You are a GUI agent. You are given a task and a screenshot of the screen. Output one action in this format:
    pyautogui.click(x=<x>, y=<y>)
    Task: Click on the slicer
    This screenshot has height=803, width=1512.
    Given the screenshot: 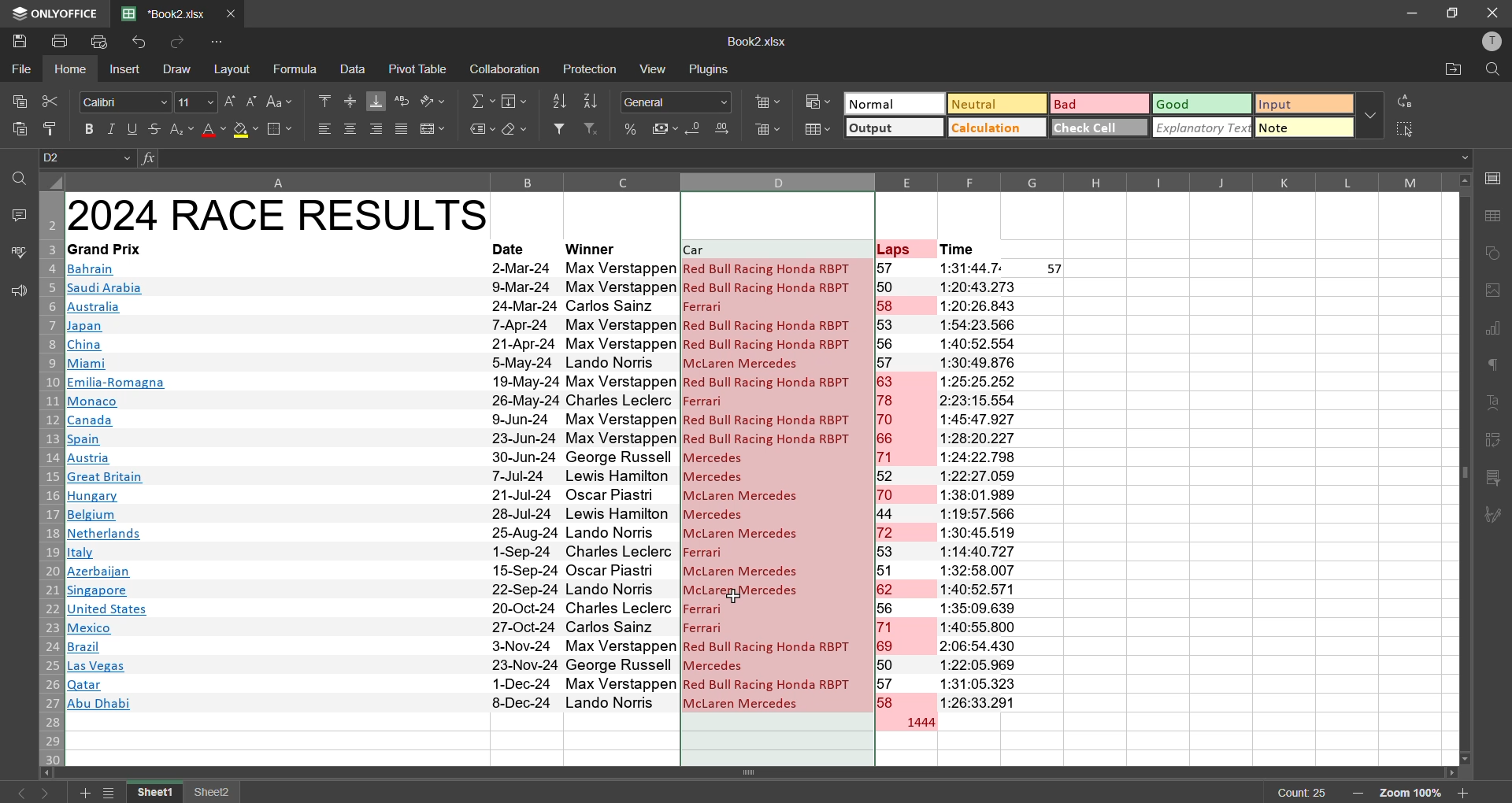 What is the action you would take?
    pyautogui.click(x=1494, y=479)
    